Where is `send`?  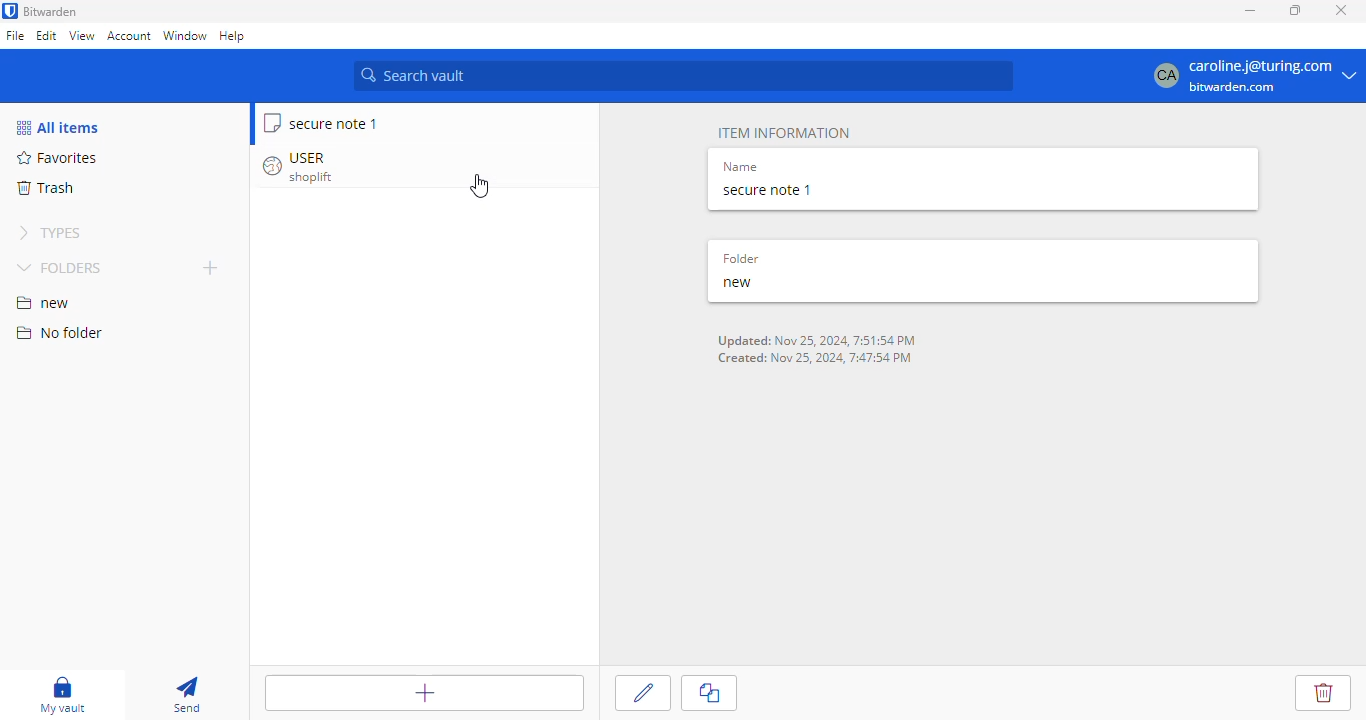 send is located at coordinates (188, 696).